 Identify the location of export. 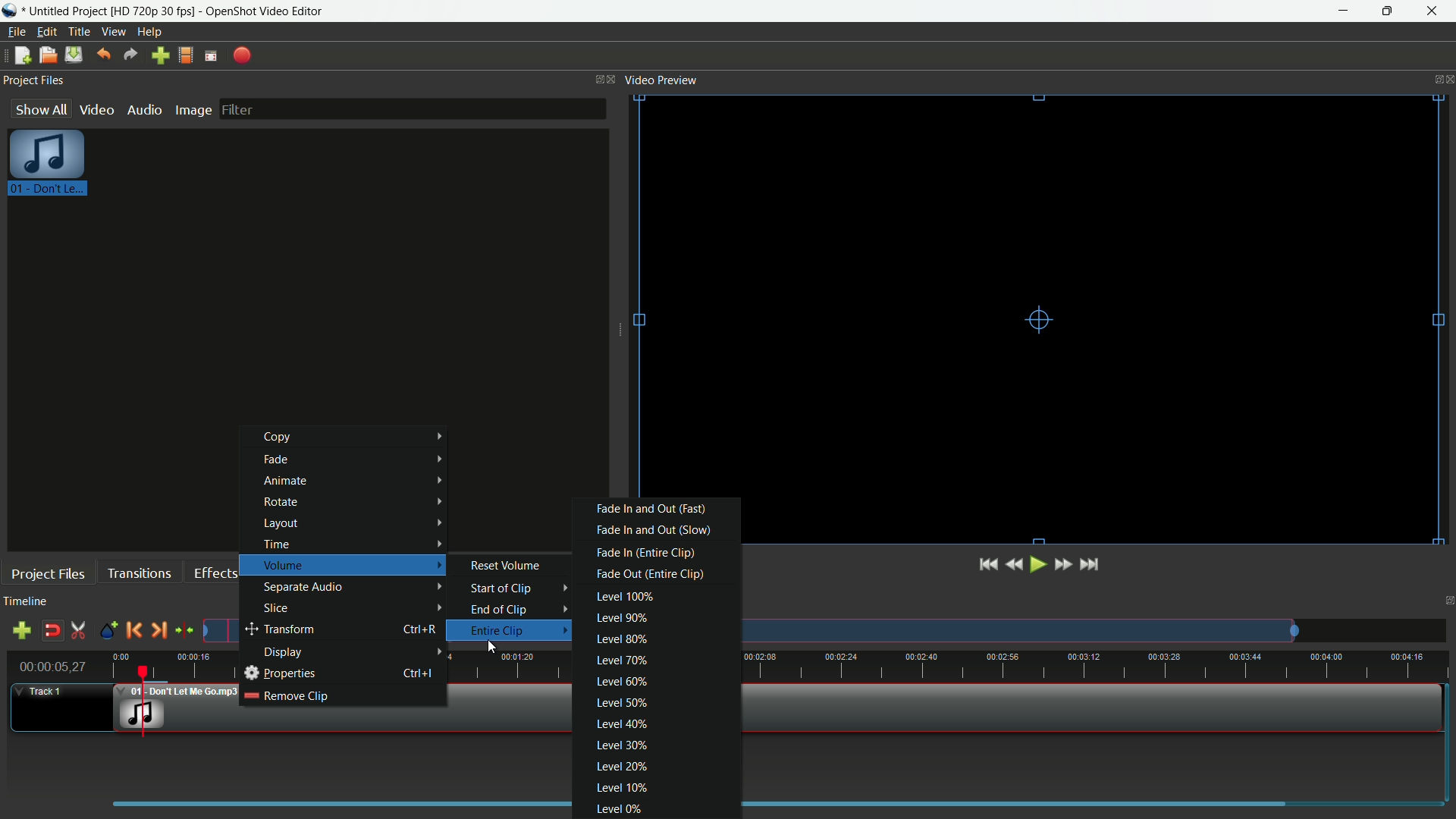
(243, 55).